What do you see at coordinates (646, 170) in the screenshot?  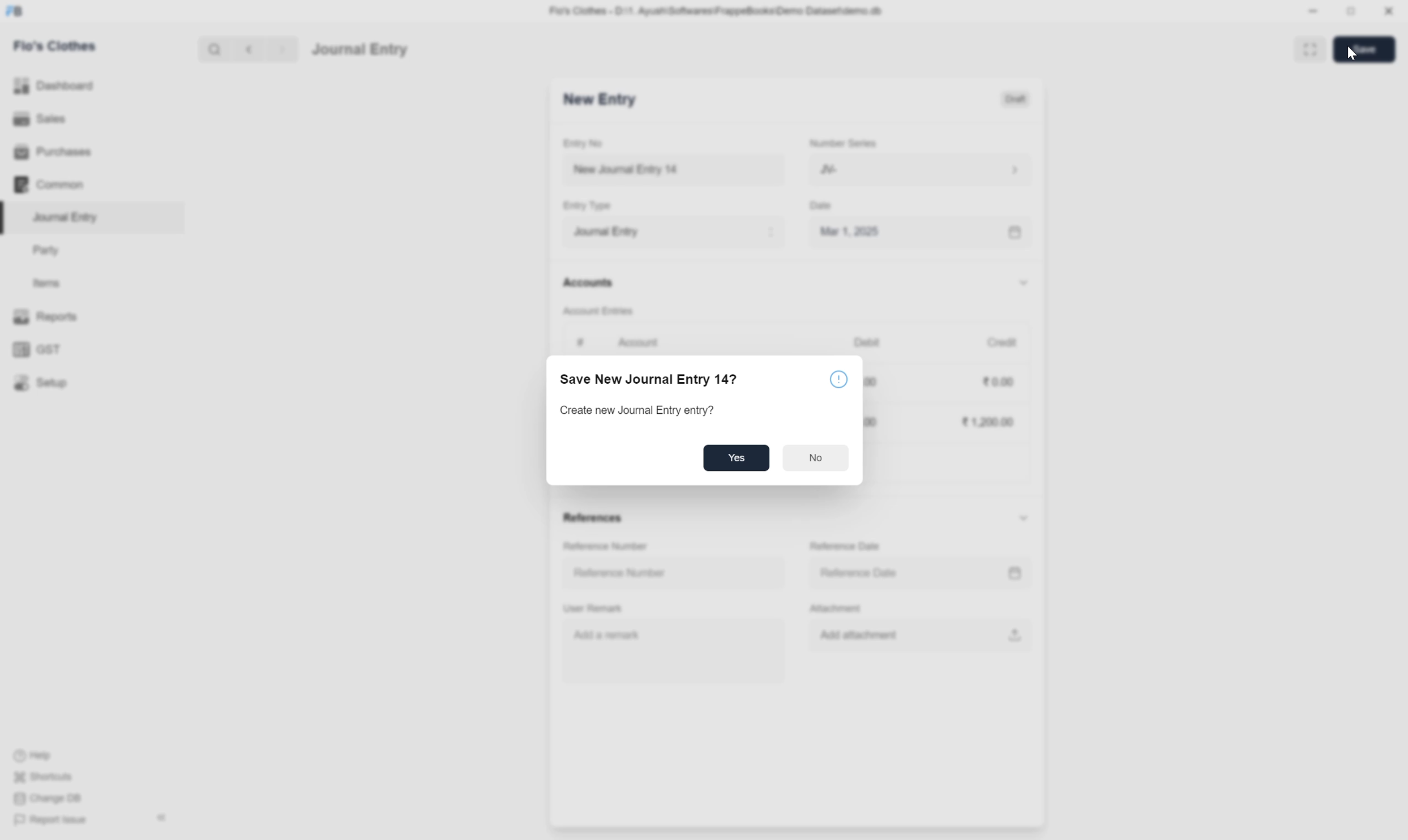 I see `New Journal Entry 14` at bounding box center [646, 170].